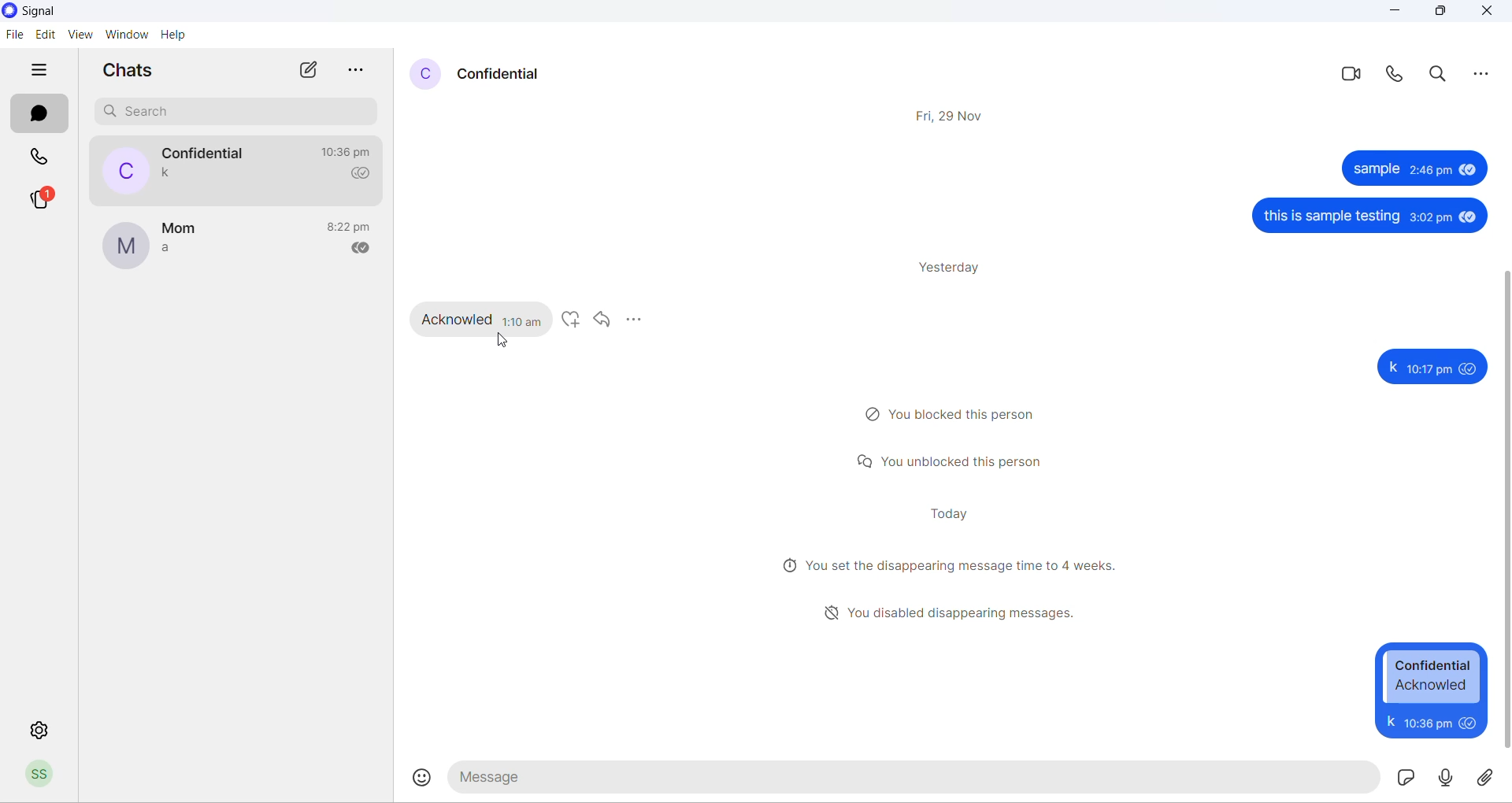 Image resolution: width=1512 pixels, height=803 pixels. Describe the element at coordinates (502, 342) in the screenshot. I see `cursor` at that location.